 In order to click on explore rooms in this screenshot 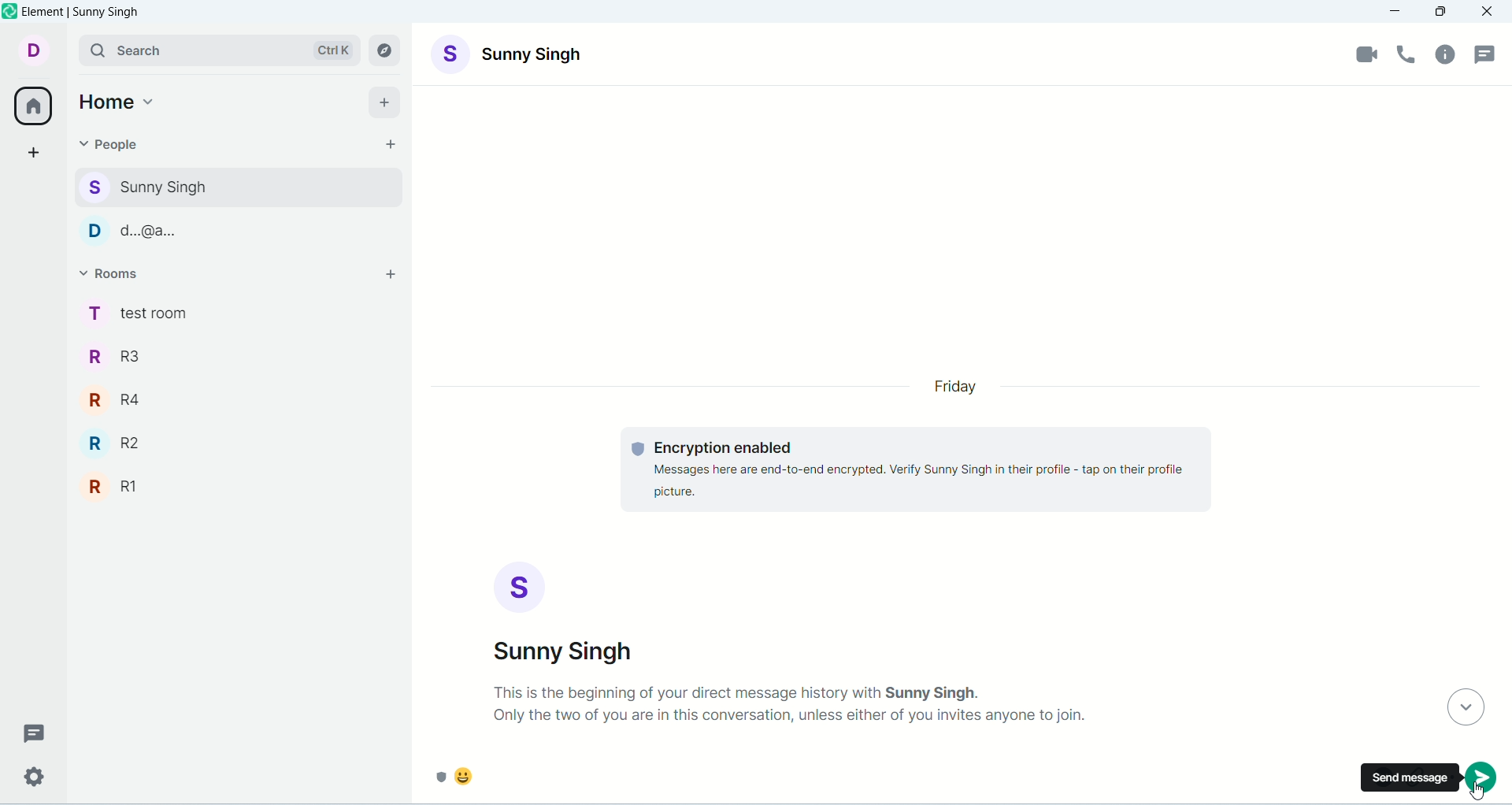, I will do `click(387, 51)`.